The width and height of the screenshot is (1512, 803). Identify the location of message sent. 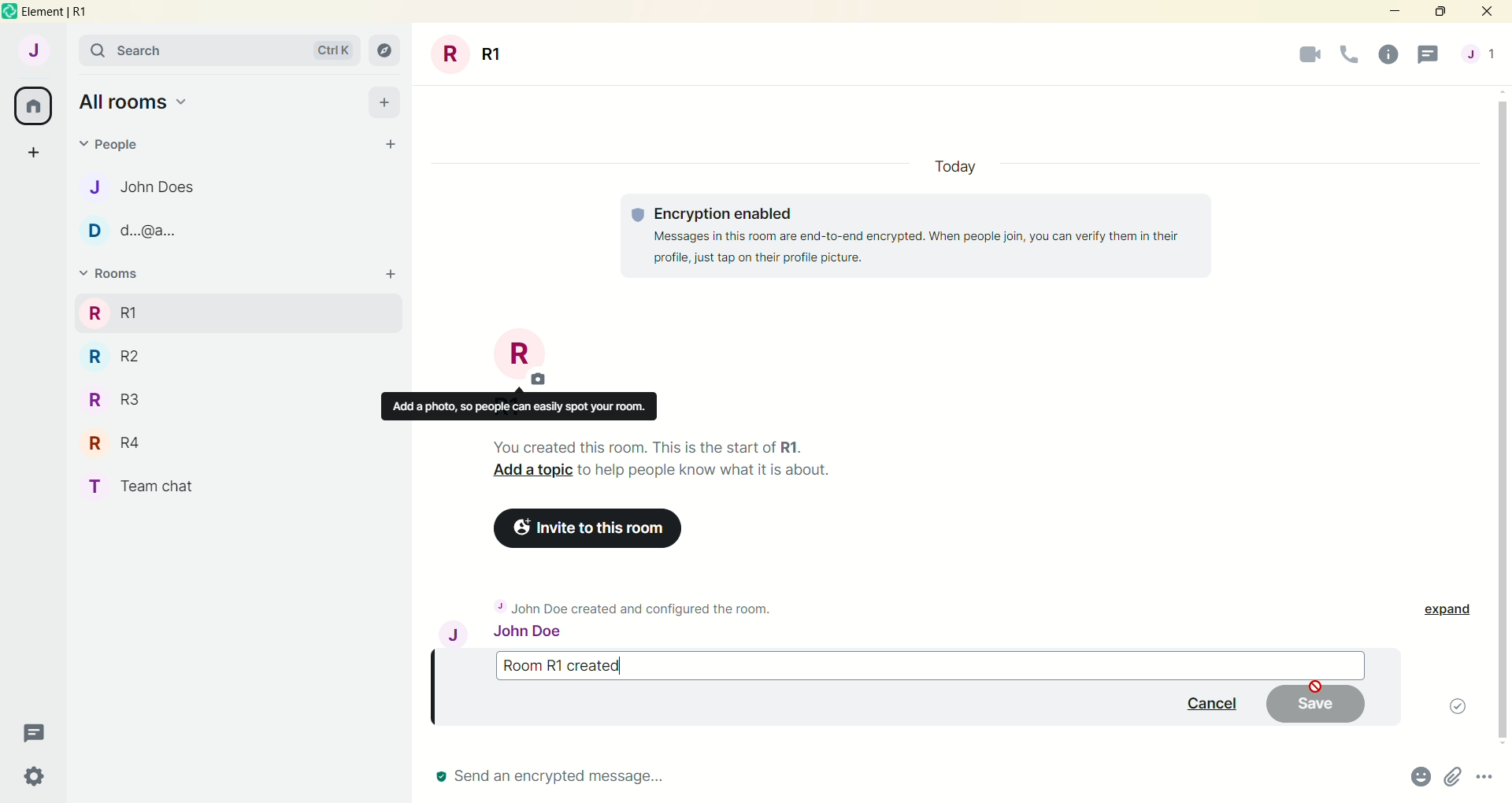
(1448, 707).